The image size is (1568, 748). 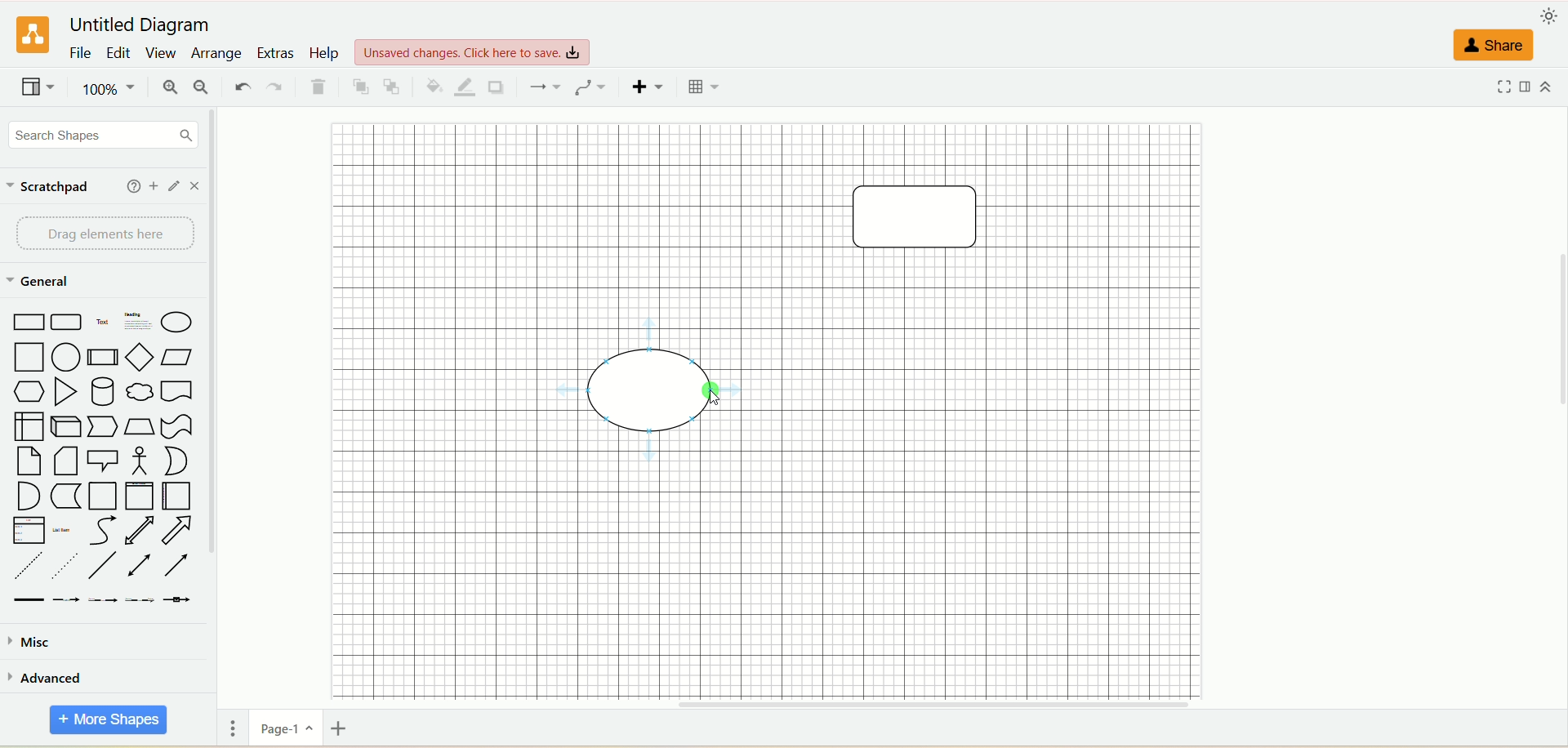 What do you see at coordinates (106, 720) in the screenshot?
I see `more shapes` at bounding box center [106, 720].